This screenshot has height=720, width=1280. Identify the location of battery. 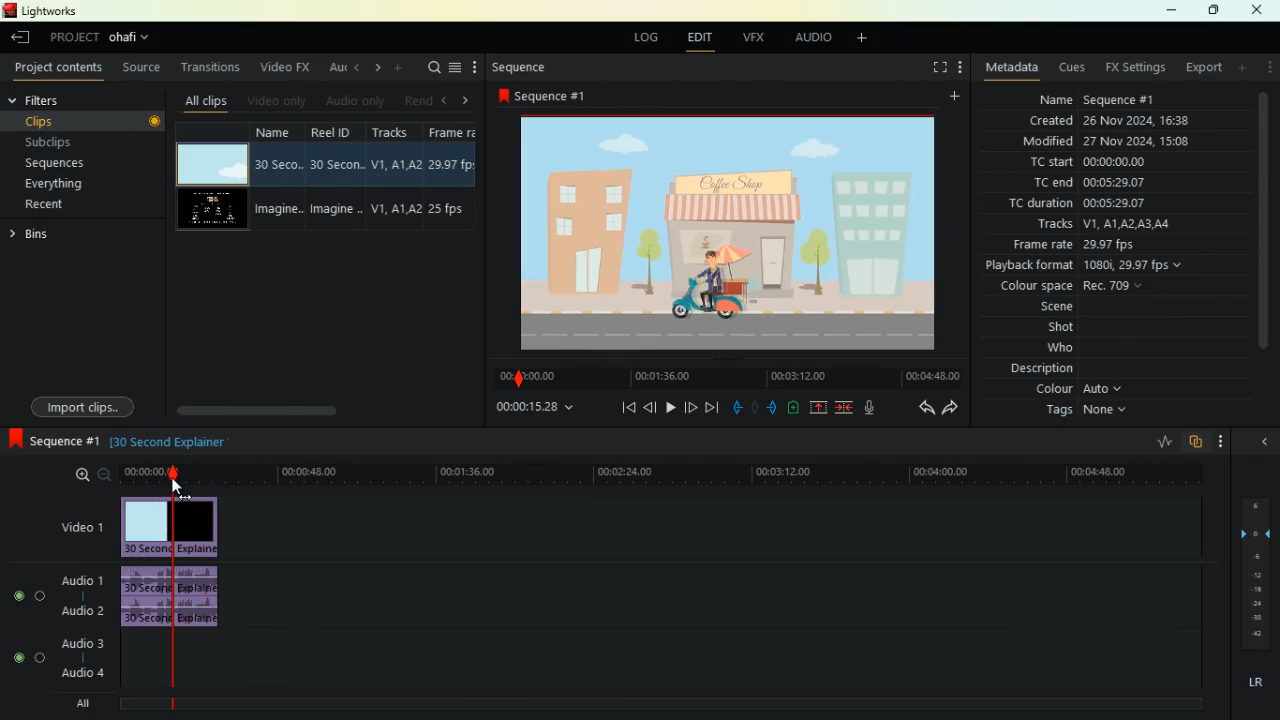
(793, 408).